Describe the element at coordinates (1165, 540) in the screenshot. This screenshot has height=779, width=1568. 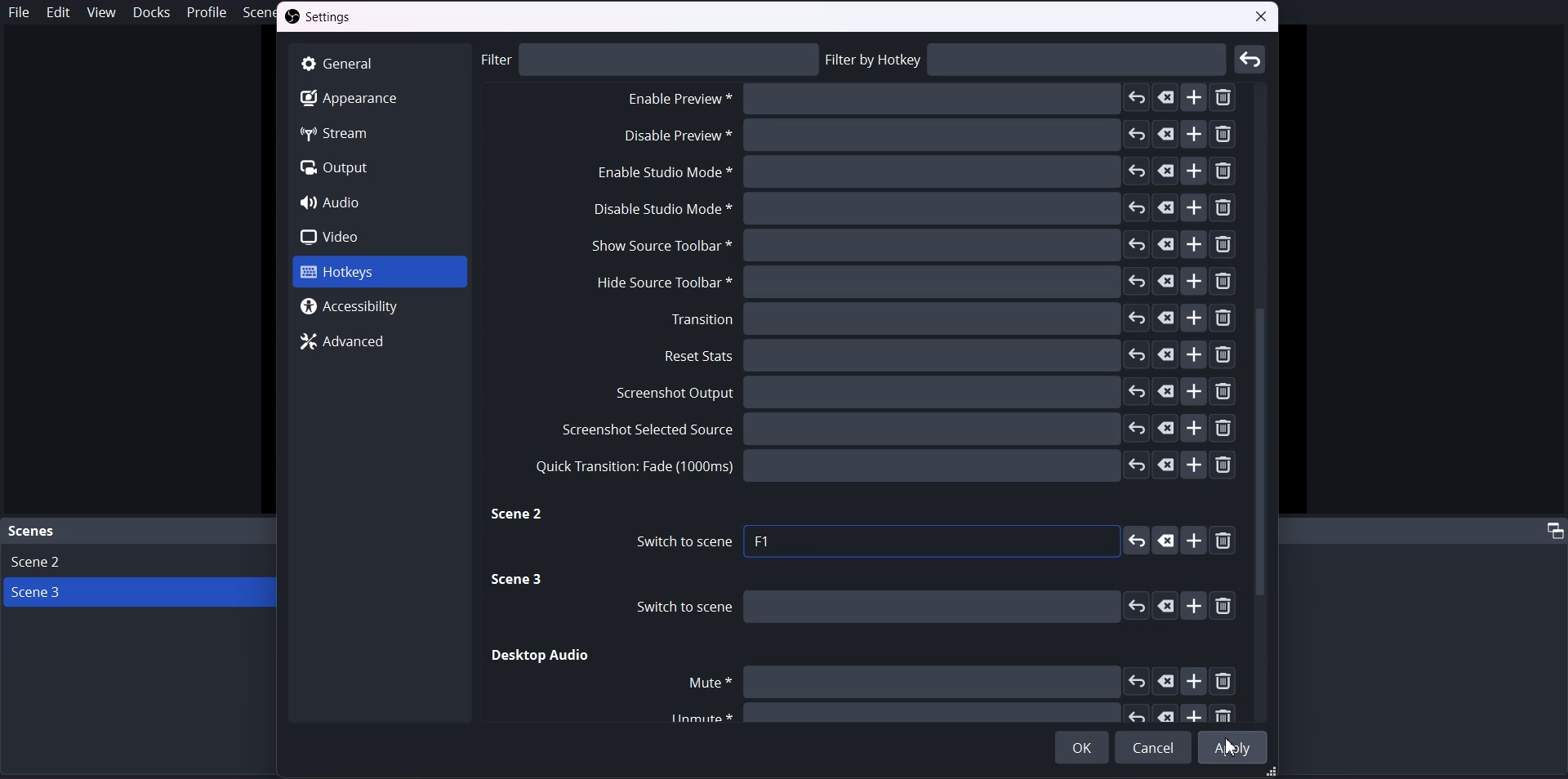
I see `cancel` at that location.